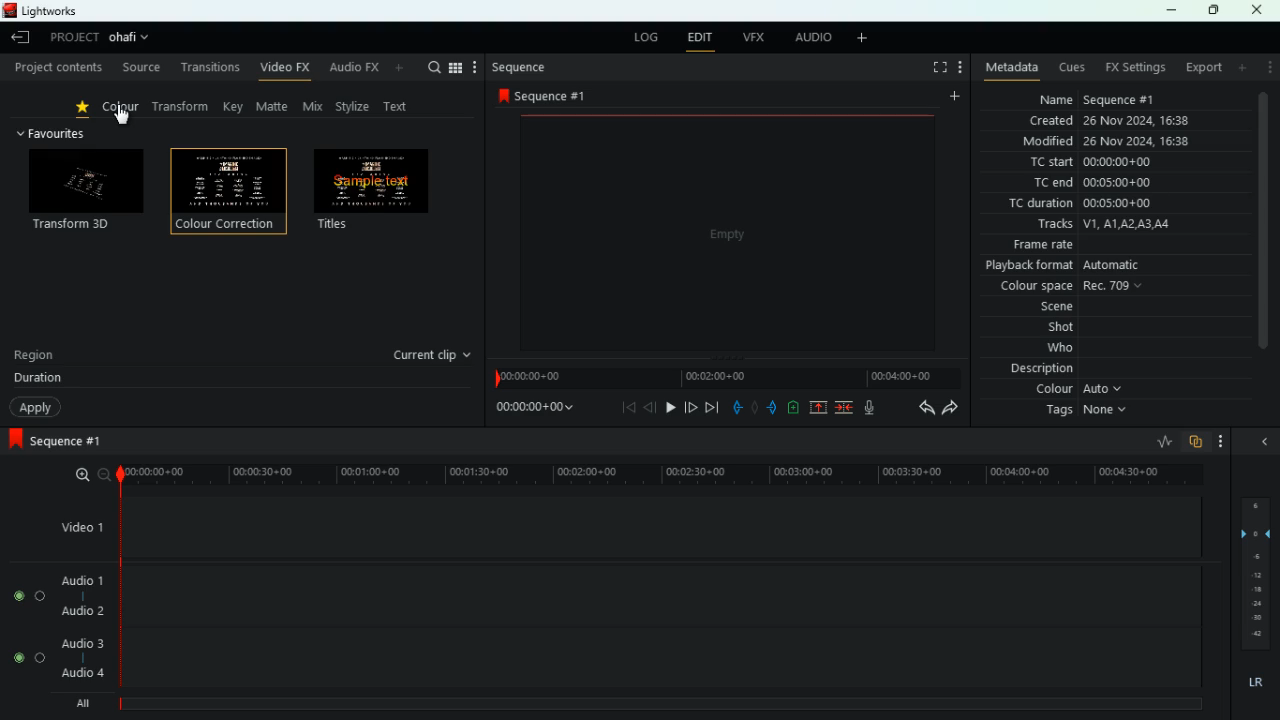 The image size is (1280, 720). I want to click on add, so click(792, 407).